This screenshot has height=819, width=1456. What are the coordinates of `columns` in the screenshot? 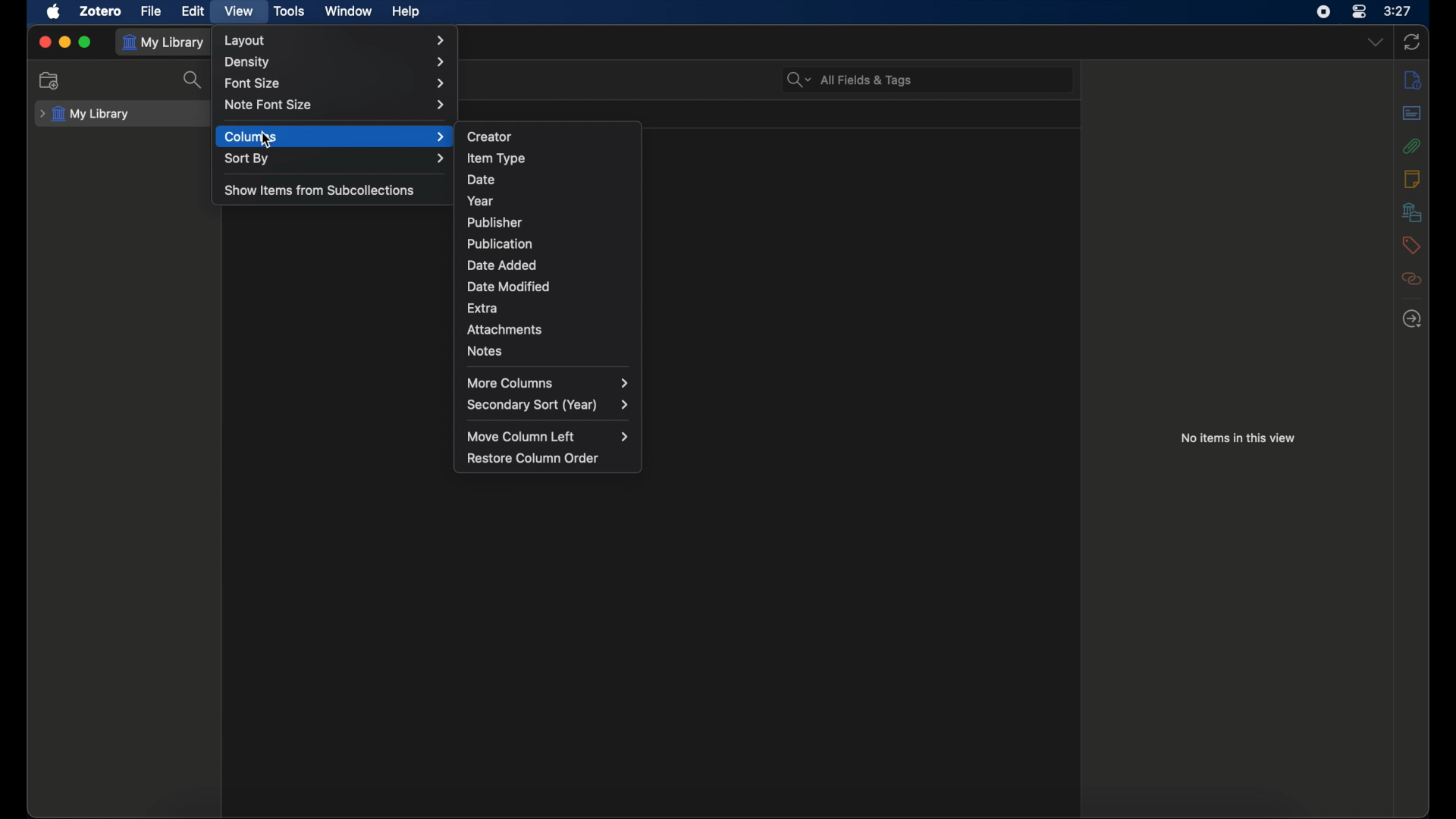 It's located at (335, 137).